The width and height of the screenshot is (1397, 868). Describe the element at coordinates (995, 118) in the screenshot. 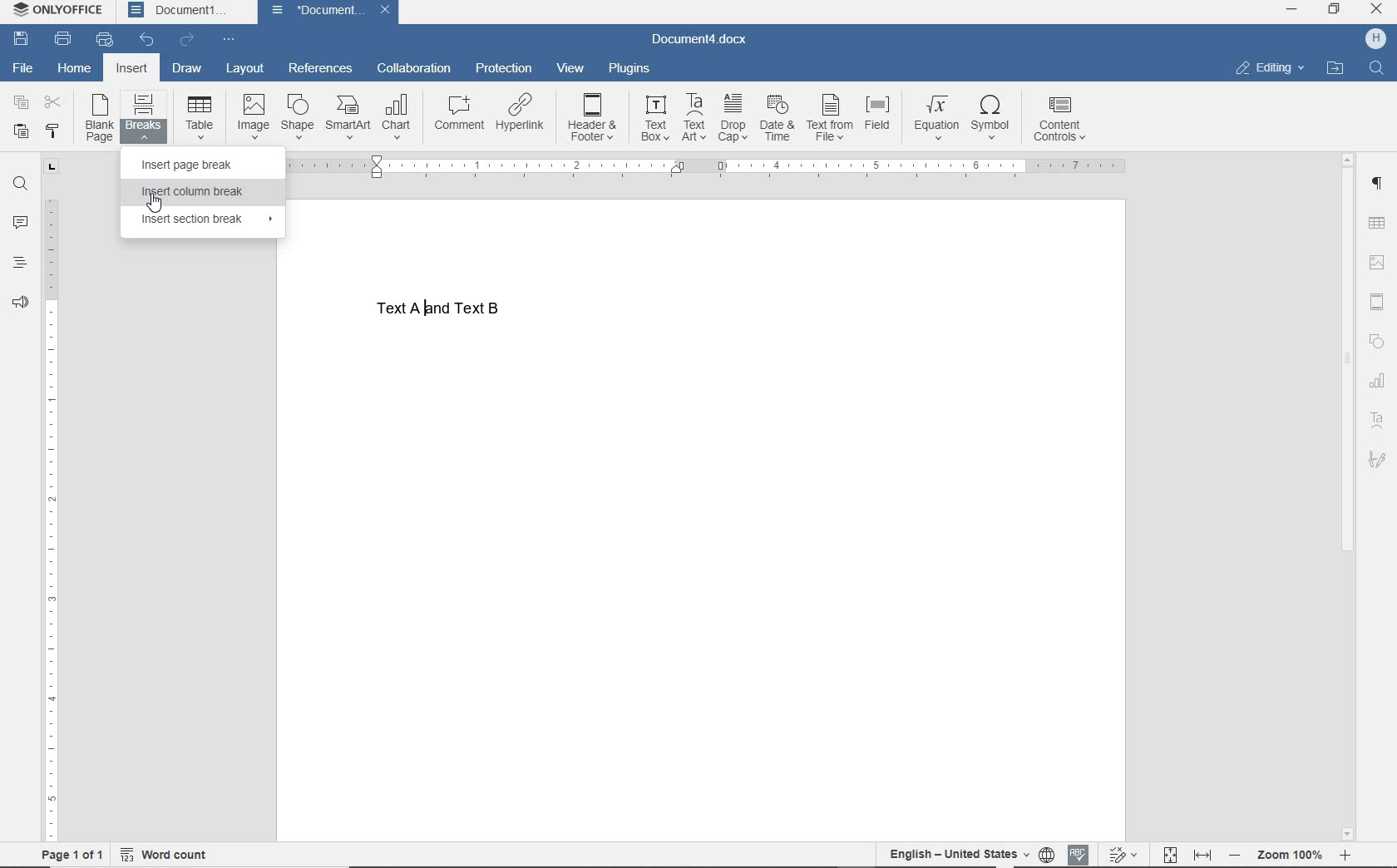

I see `SYMBOL` at that location.